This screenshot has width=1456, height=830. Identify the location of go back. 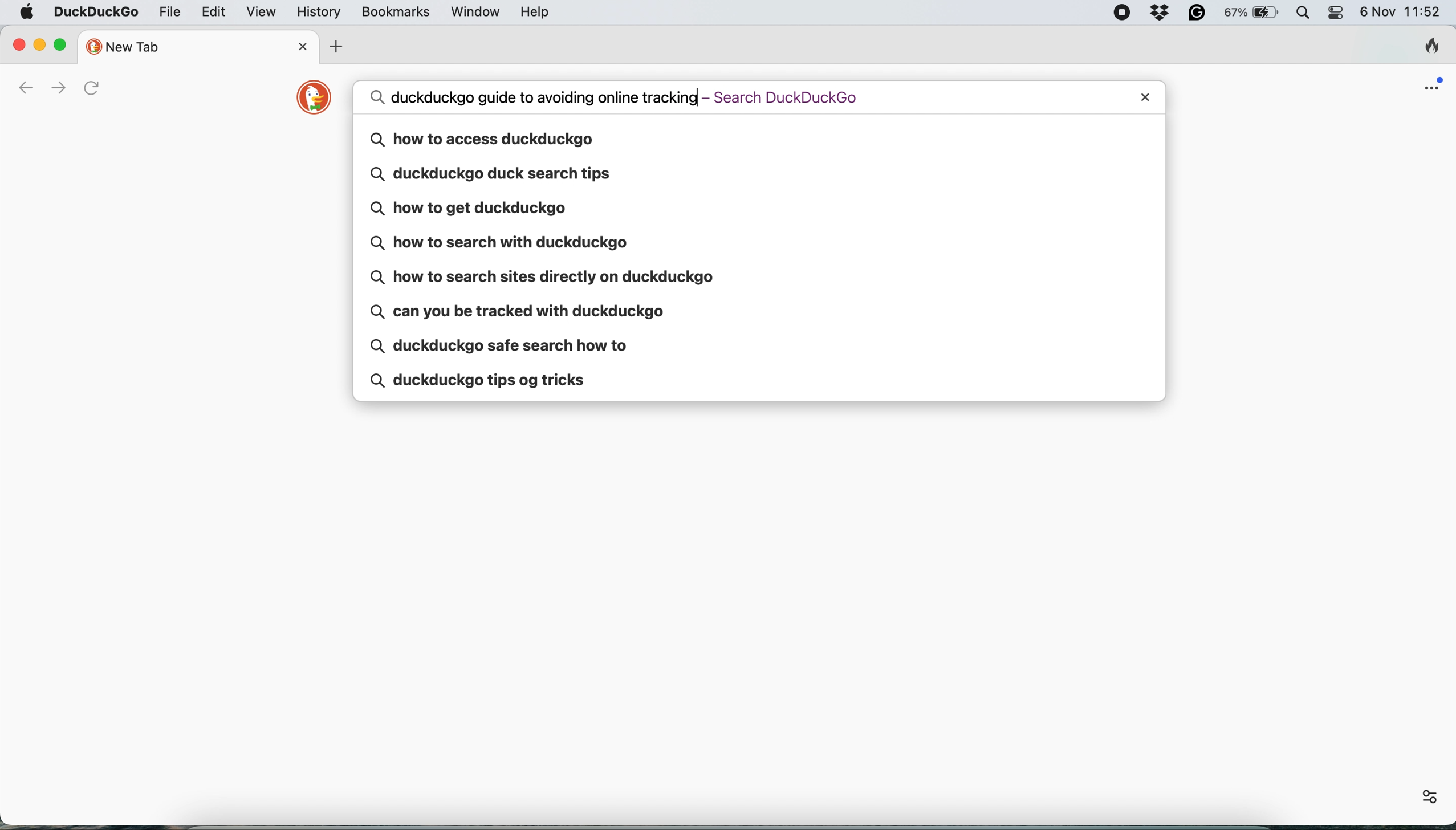
(15, 86).